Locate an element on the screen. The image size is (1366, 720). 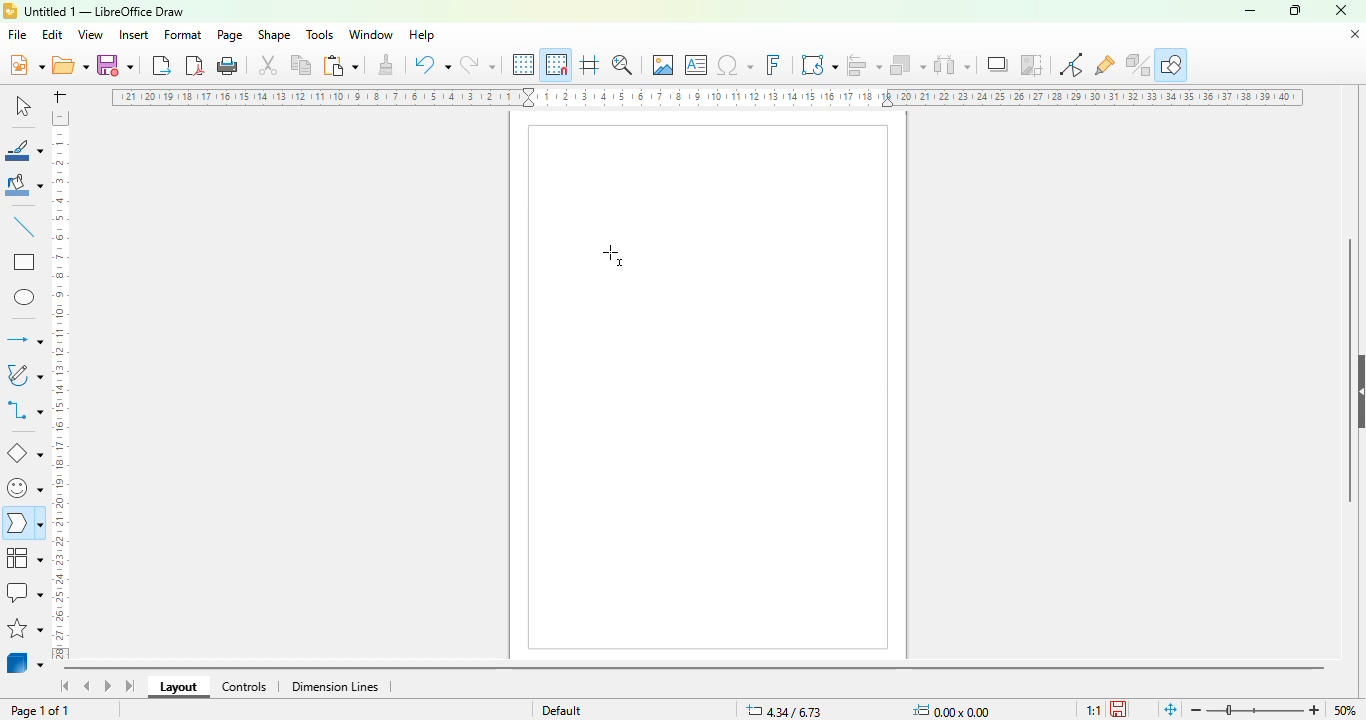
show draw functions is located at coordinates (1172, 64).